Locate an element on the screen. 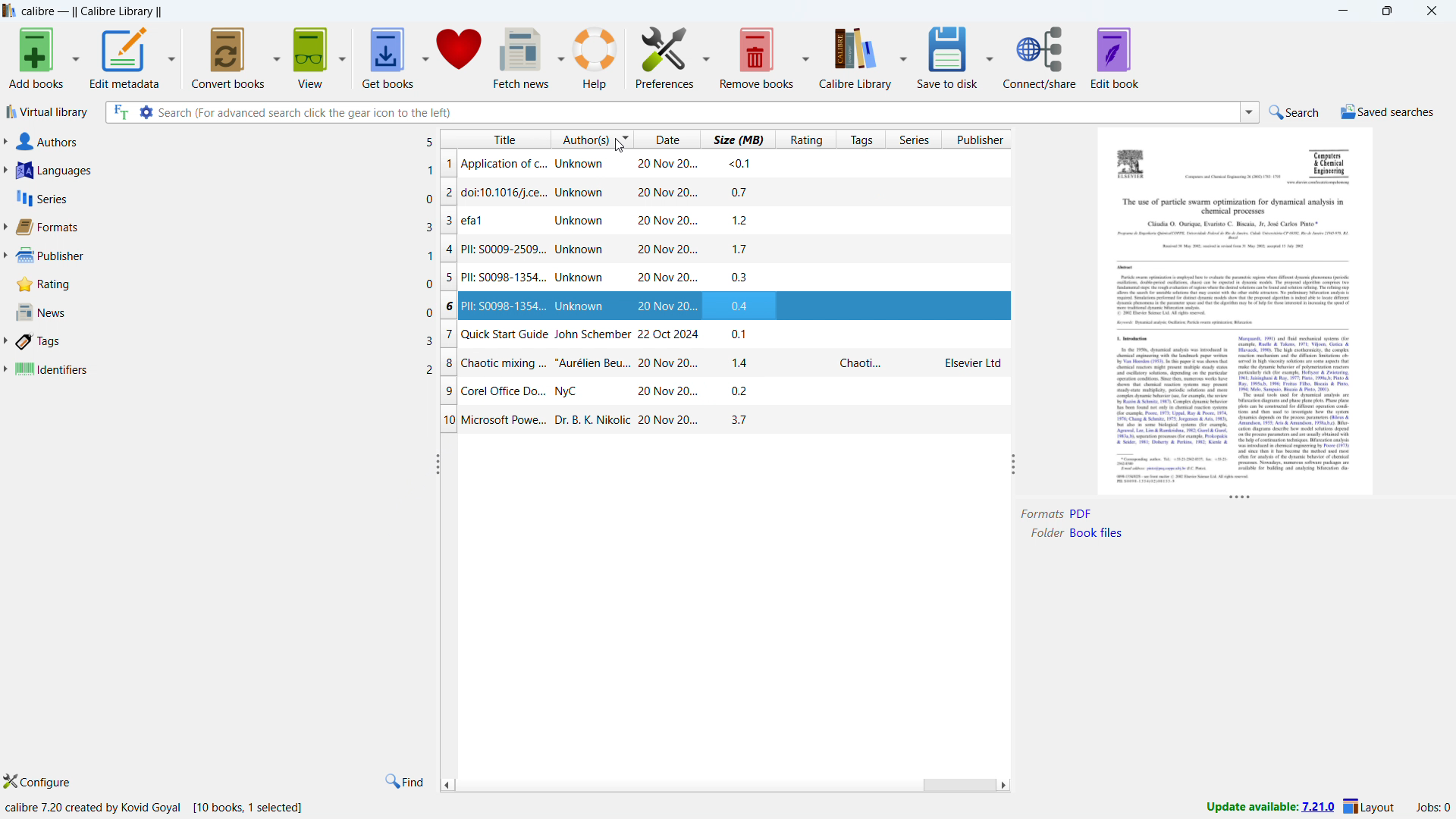 The image size is (1456, 819). 0.1 is located at coordinates (743, 334).